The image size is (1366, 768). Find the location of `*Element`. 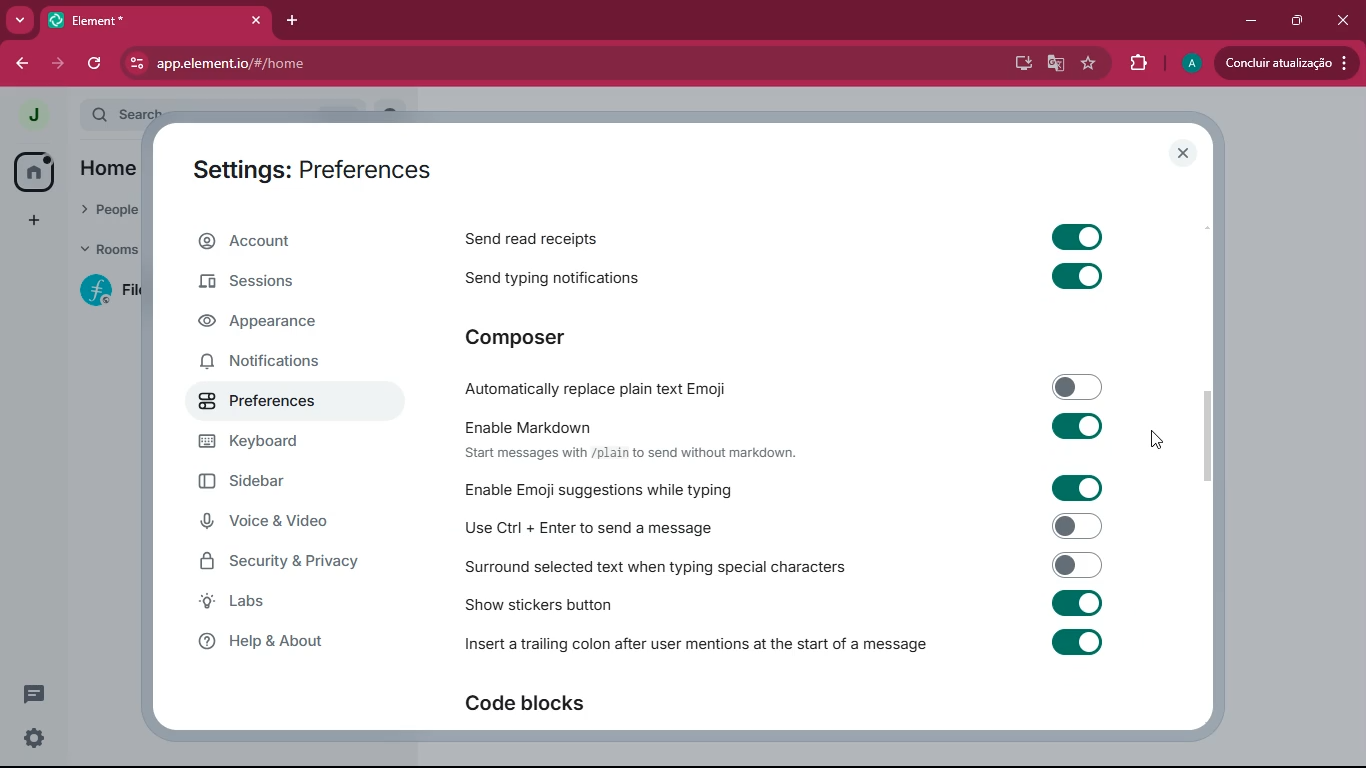

*Element is located at coordinates (155, 24).